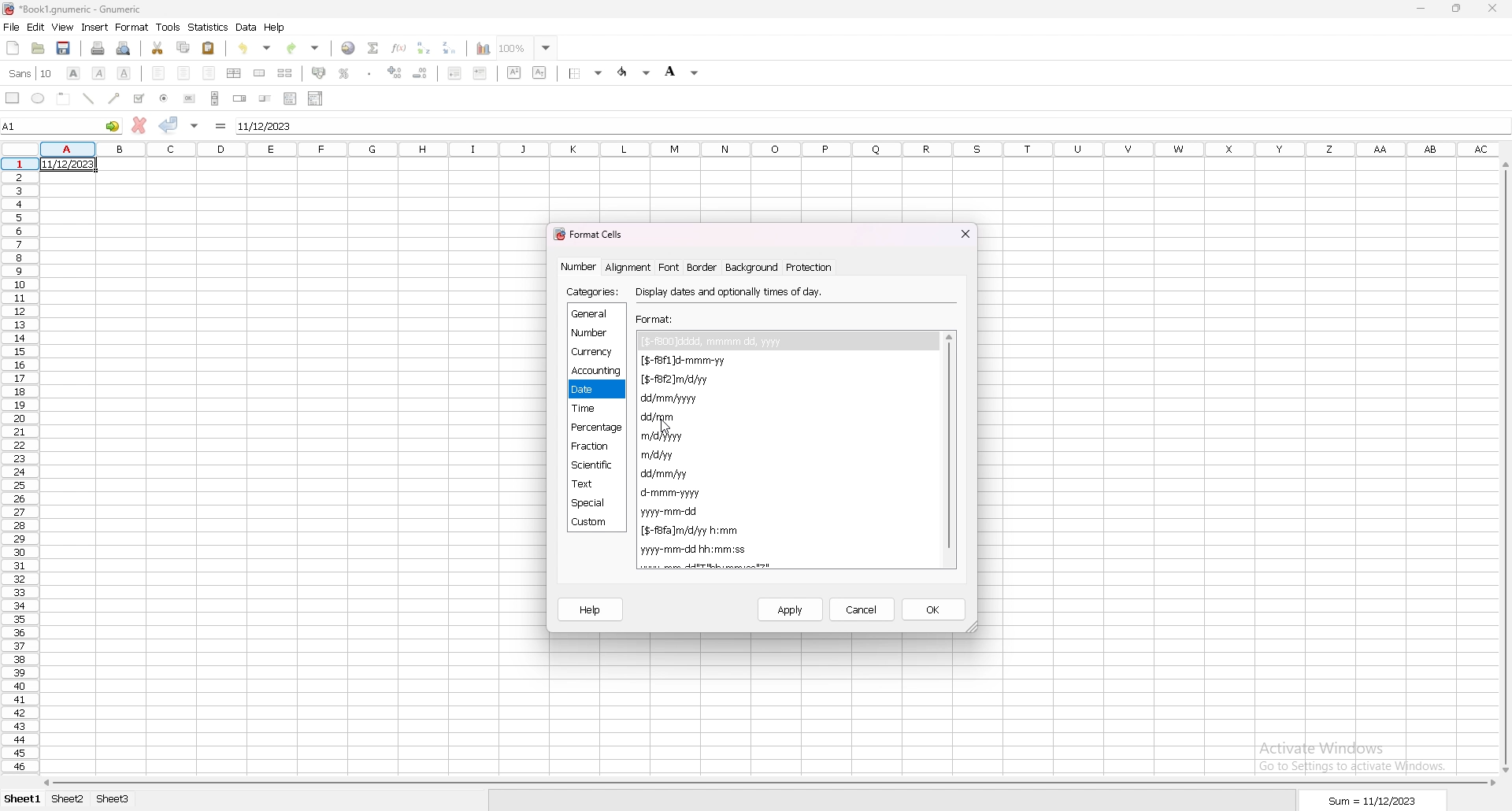  What do you see at coordinates (220, 126) in the screenshot?
I see `formula` at bounding box center [220, 126].